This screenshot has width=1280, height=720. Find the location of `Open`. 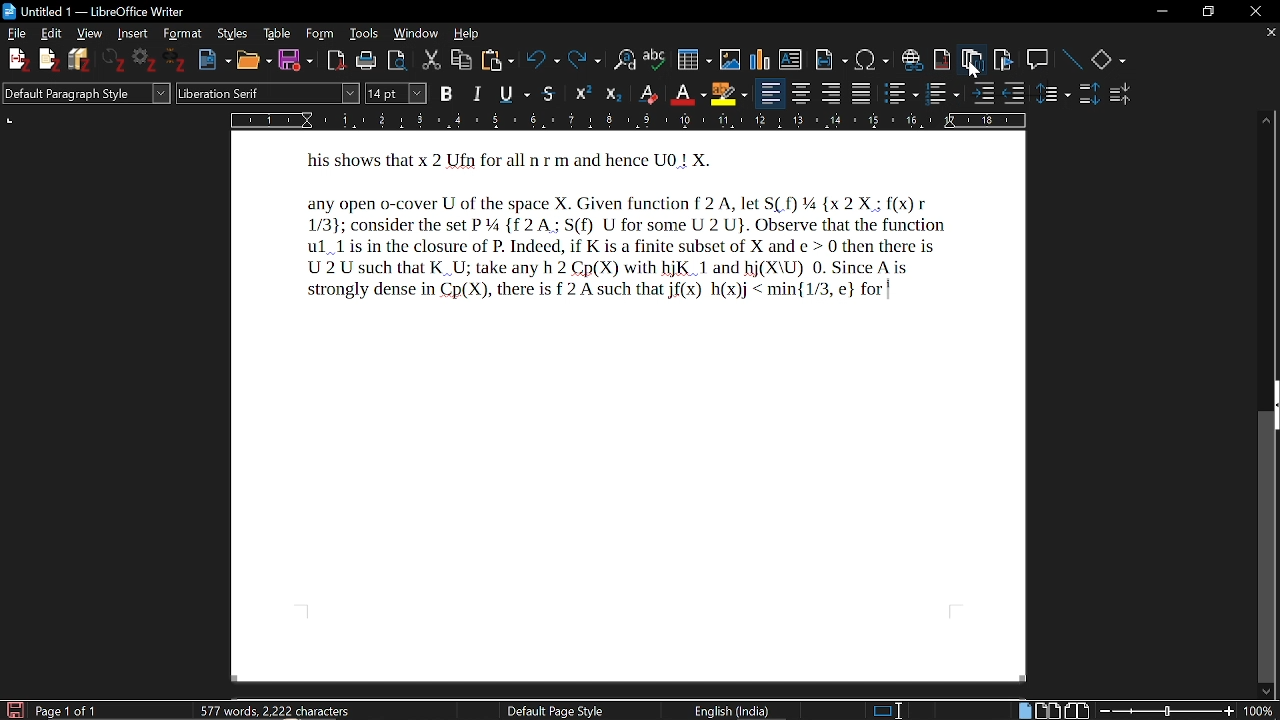

Open is located at coordinates (254, 61).